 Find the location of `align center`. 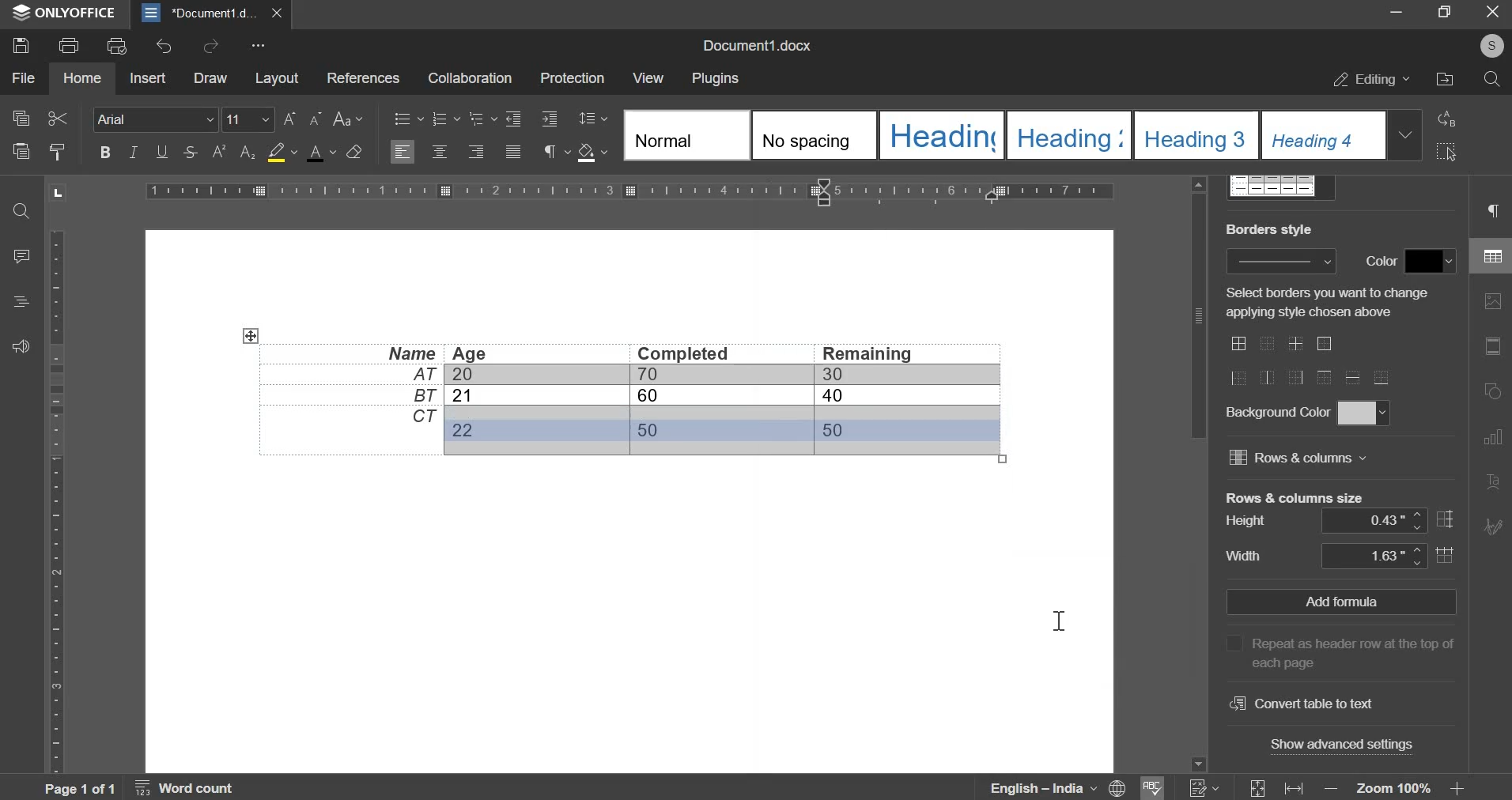

align center is located at coordinates (441, 151).